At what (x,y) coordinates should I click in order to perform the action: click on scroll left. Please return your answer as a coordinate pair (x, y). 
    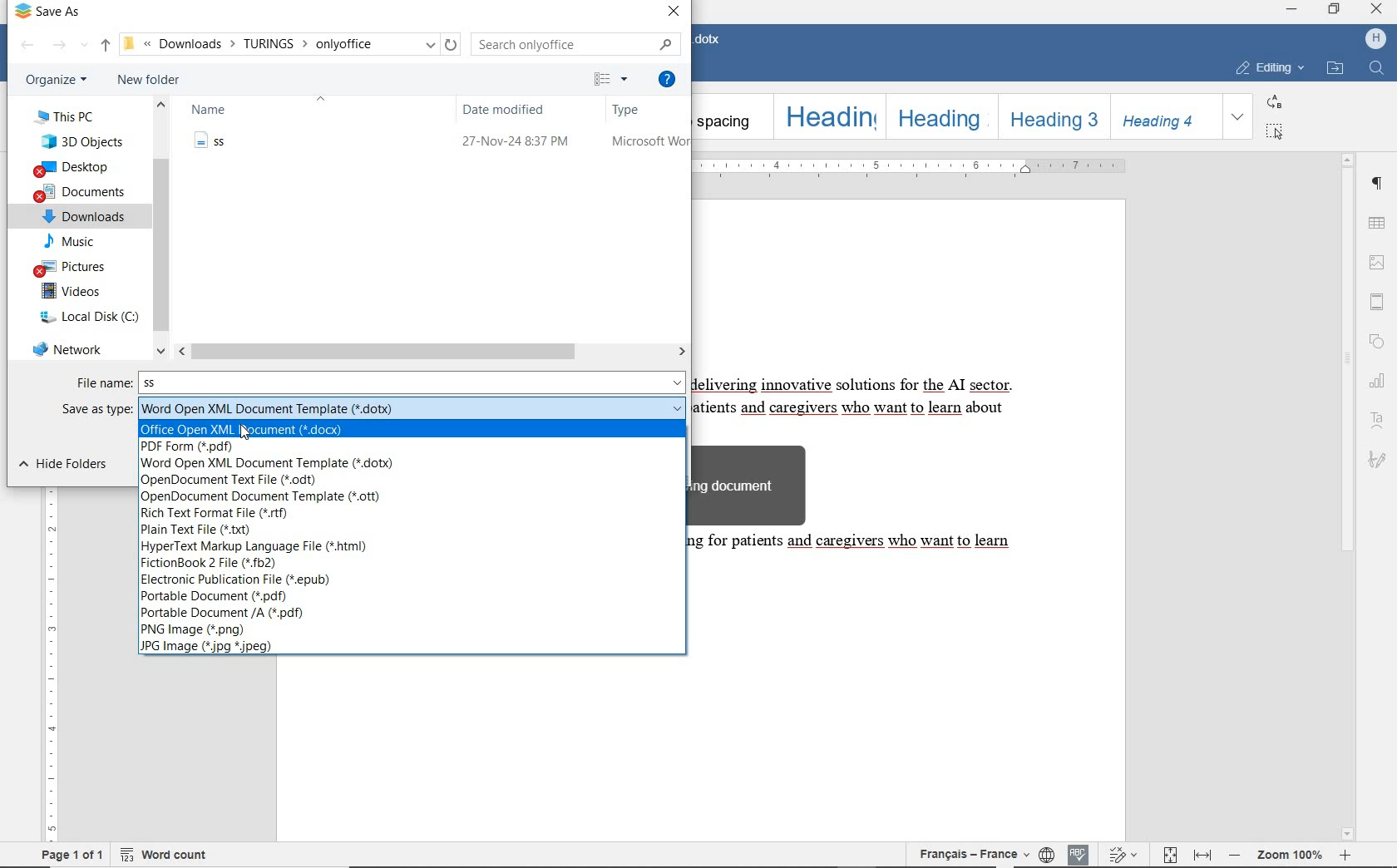
    Looking at the image, I should click on (185, 351).